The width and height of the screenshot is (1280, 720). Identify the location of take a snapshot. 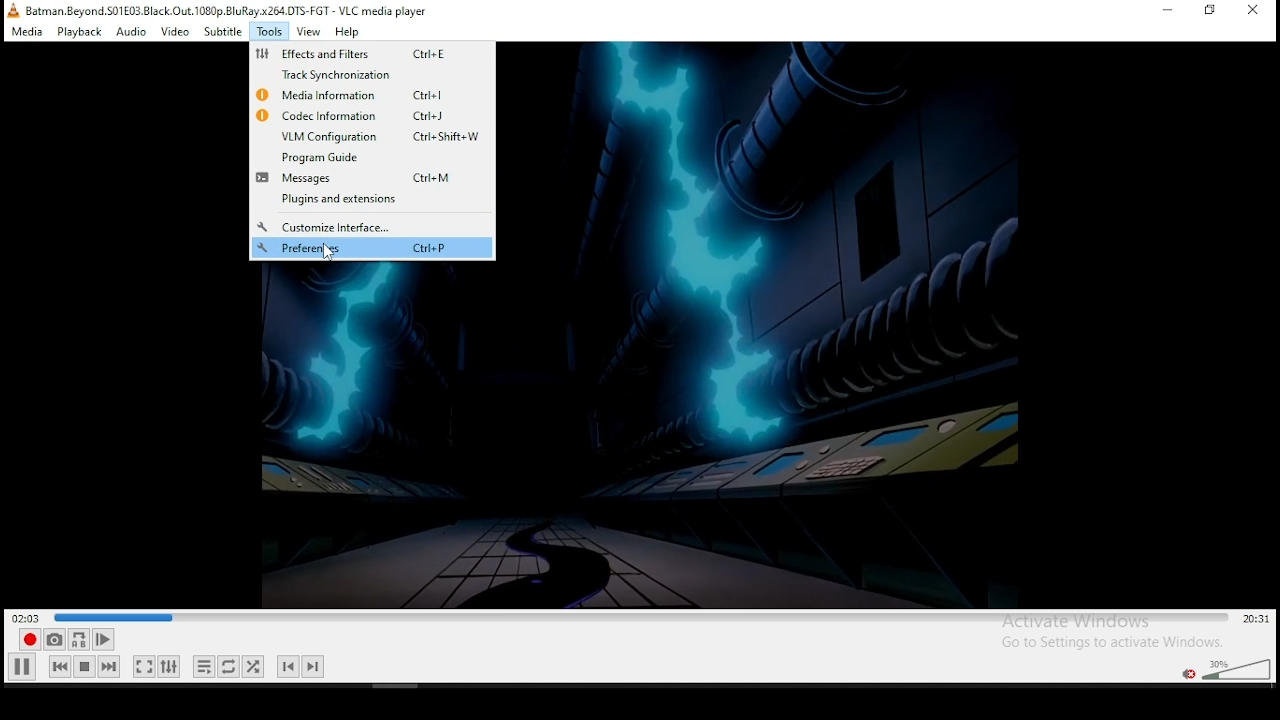
(52, 640).